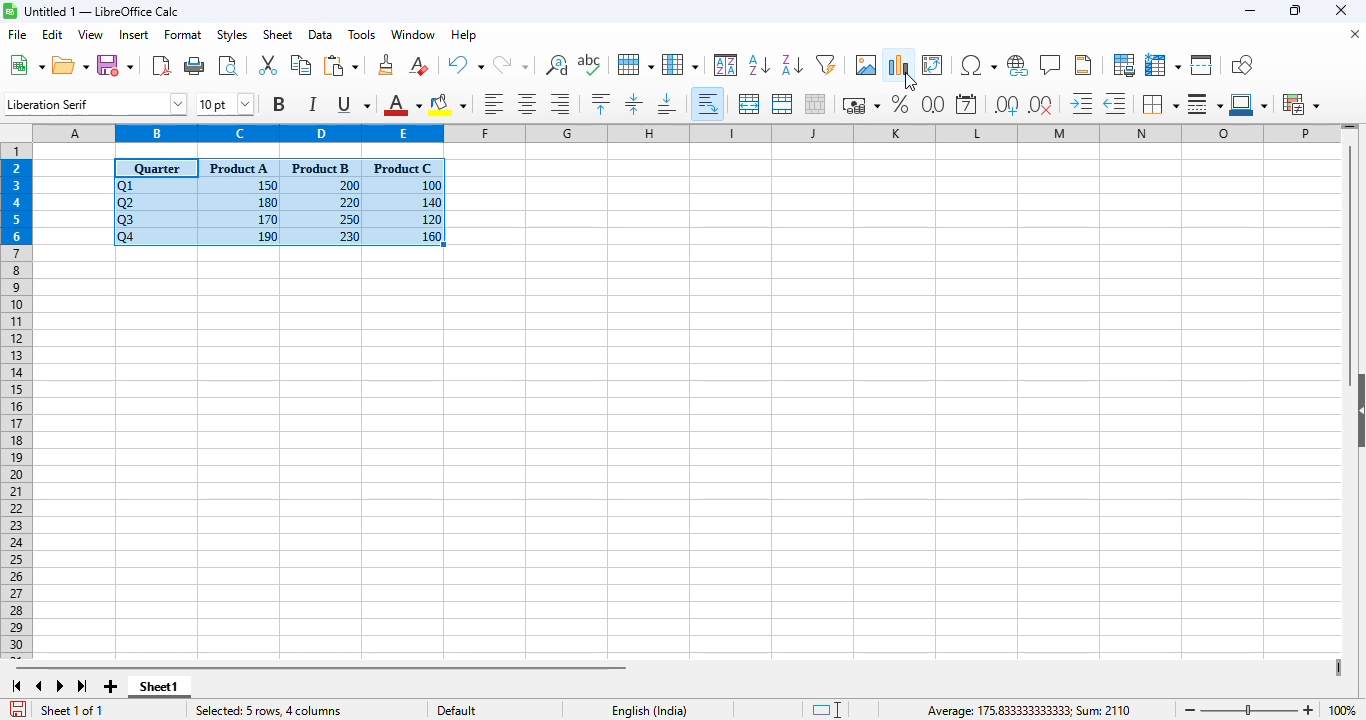  I want to click on bold, so click(279, 103).